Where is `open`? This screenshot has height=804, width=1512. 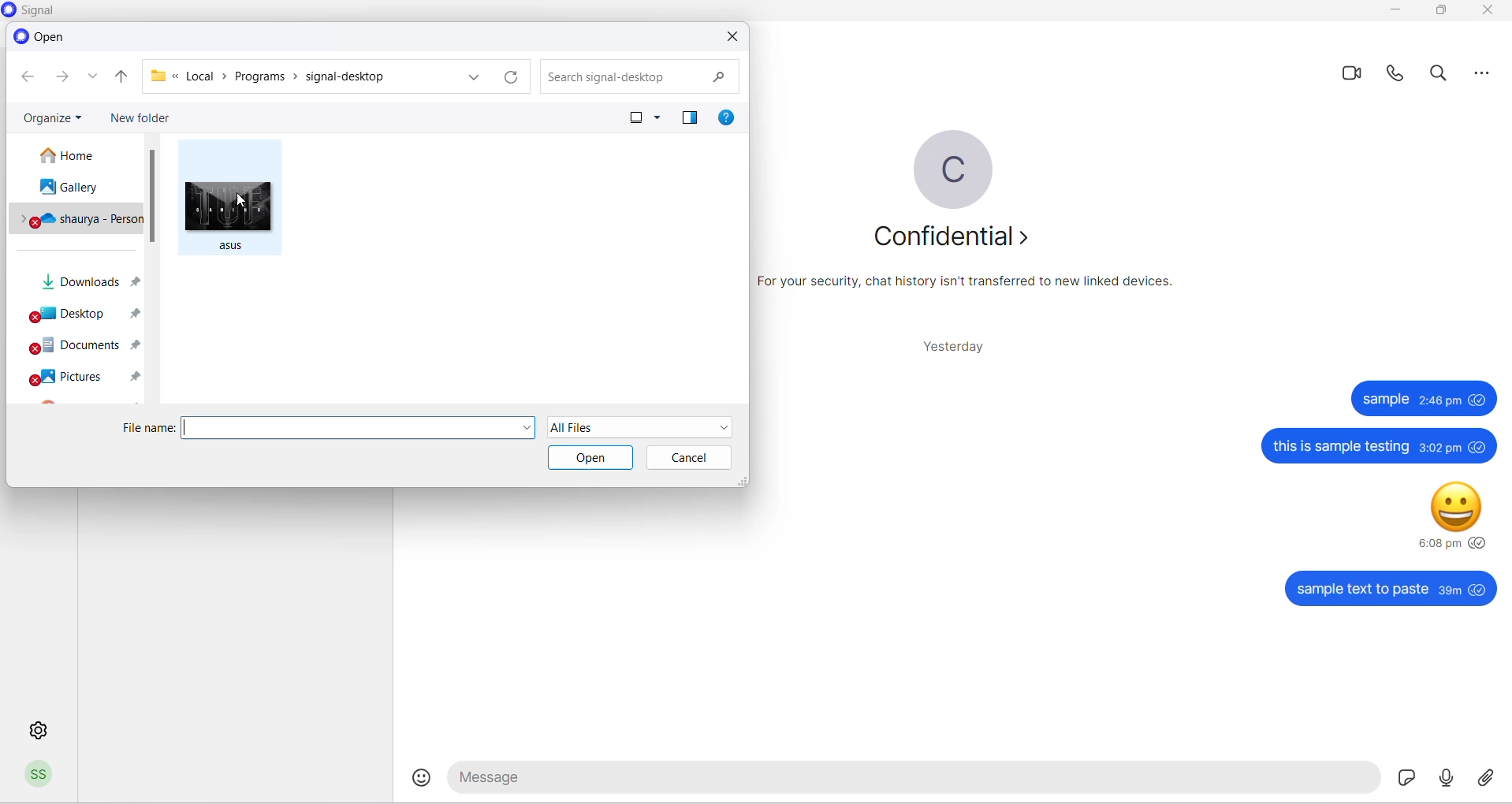 open is located at coordinates (592, 457).